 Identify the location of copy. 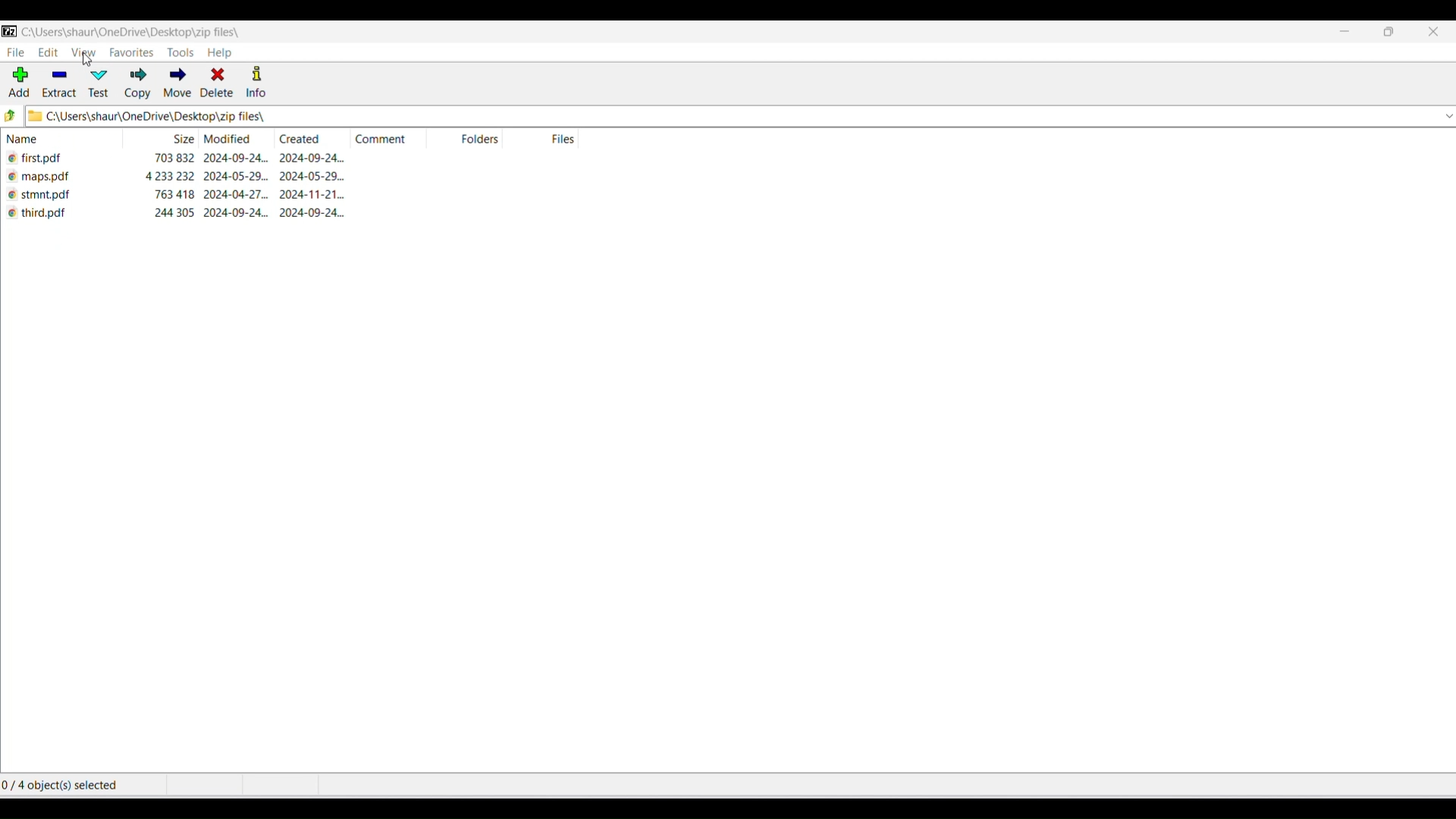
(138, 83).